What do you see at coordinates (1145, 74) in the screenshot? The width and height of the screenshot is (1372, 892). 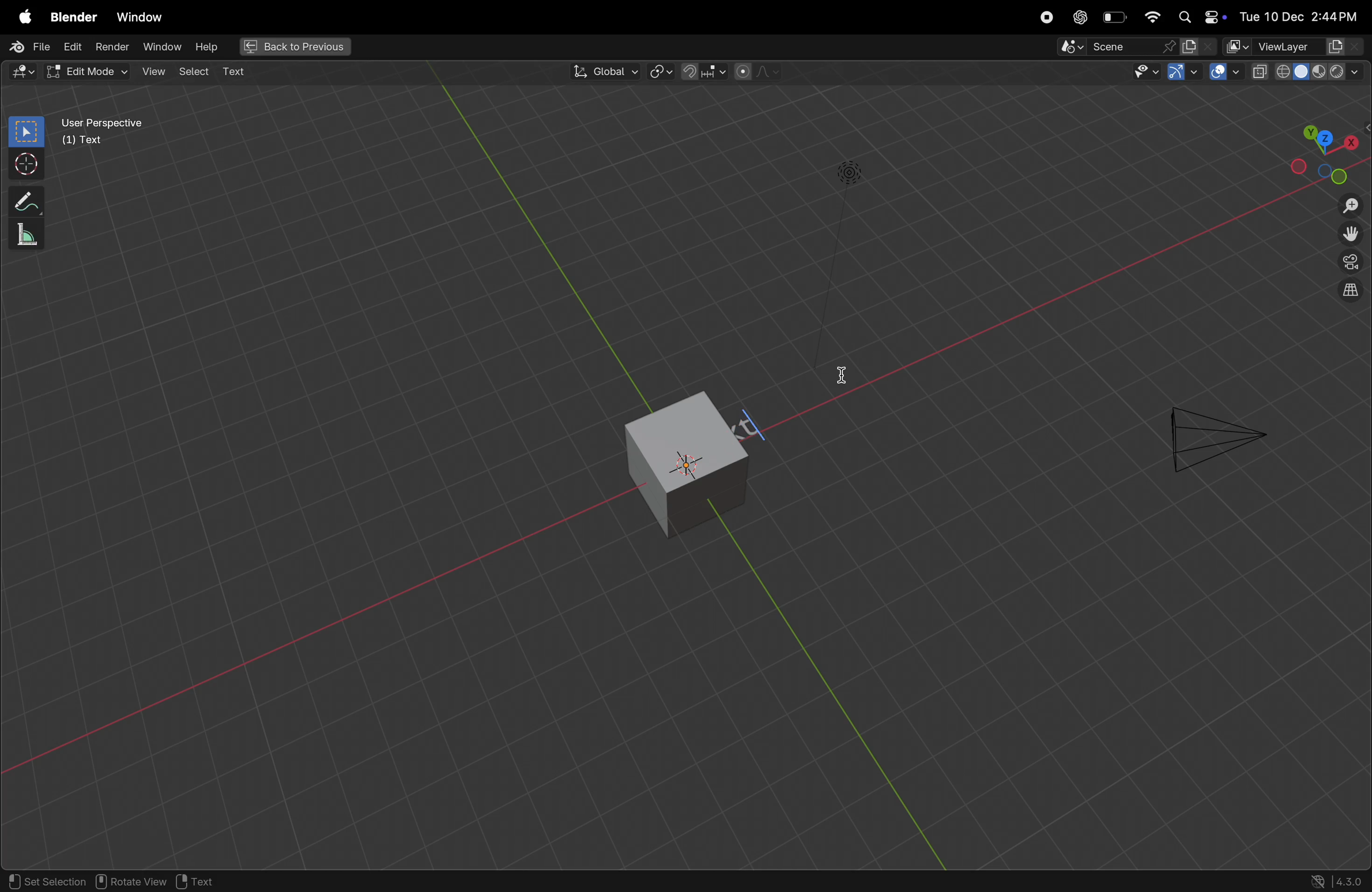 I see `visibility` at bounding box center [1145, 74].